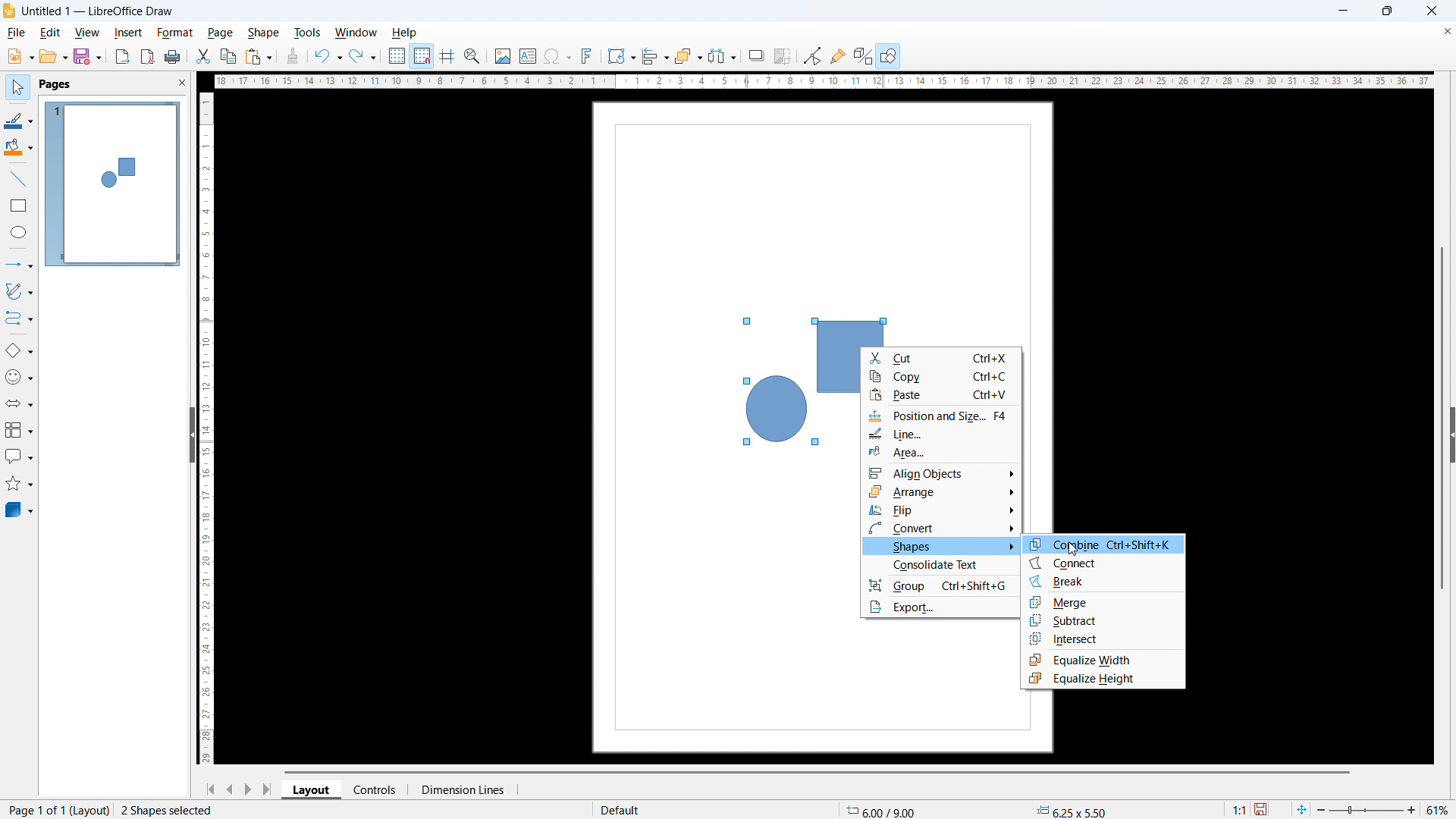 The height and width of the screenshot is (819, 1456). I want to click on connectors, so click(20, 319).